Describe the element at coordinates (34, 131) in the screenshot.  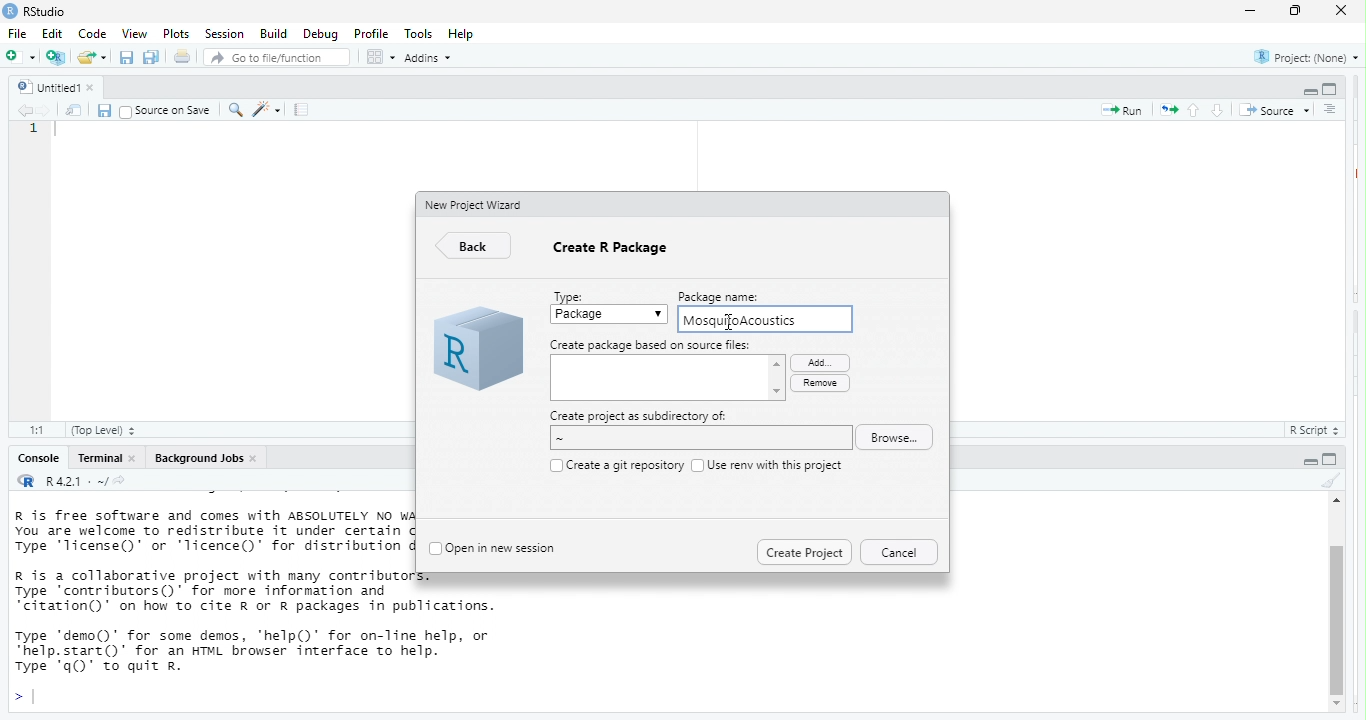
I see `1` at that location.